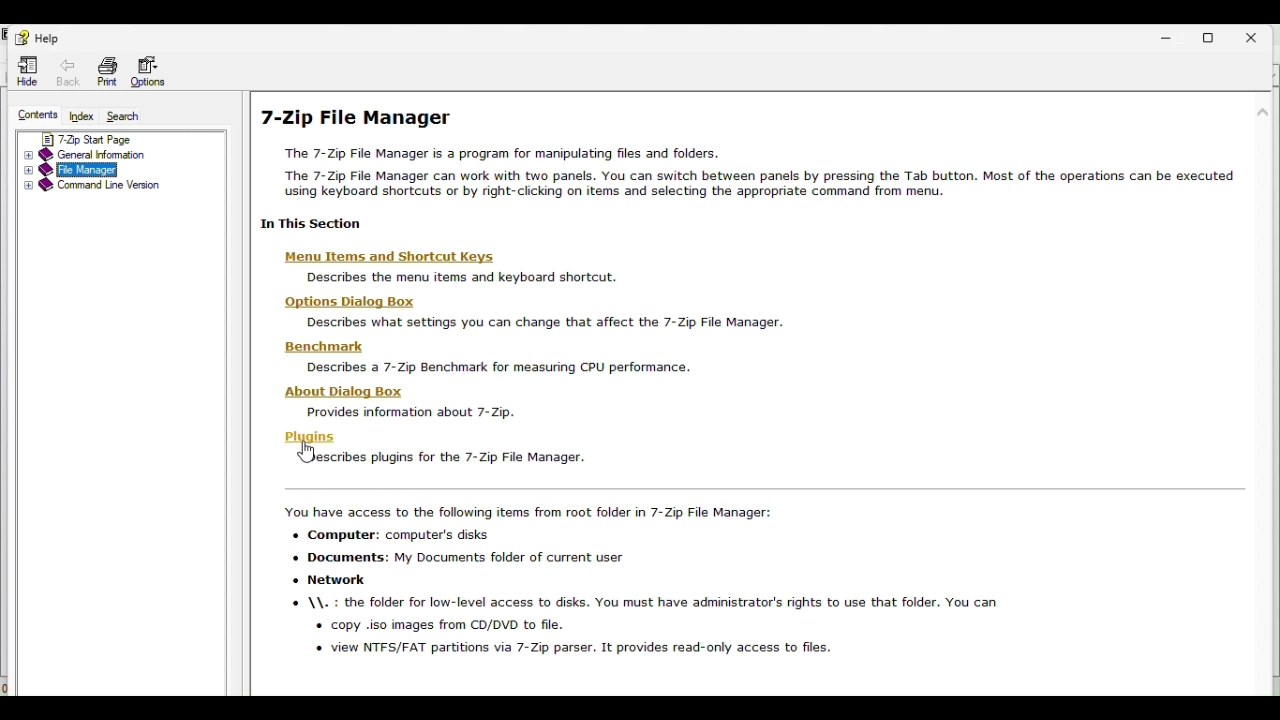 This screenshot has width=1280, height=720. I want to click on ‘Menu Items and Shortcut Keys, so click(394, 259).